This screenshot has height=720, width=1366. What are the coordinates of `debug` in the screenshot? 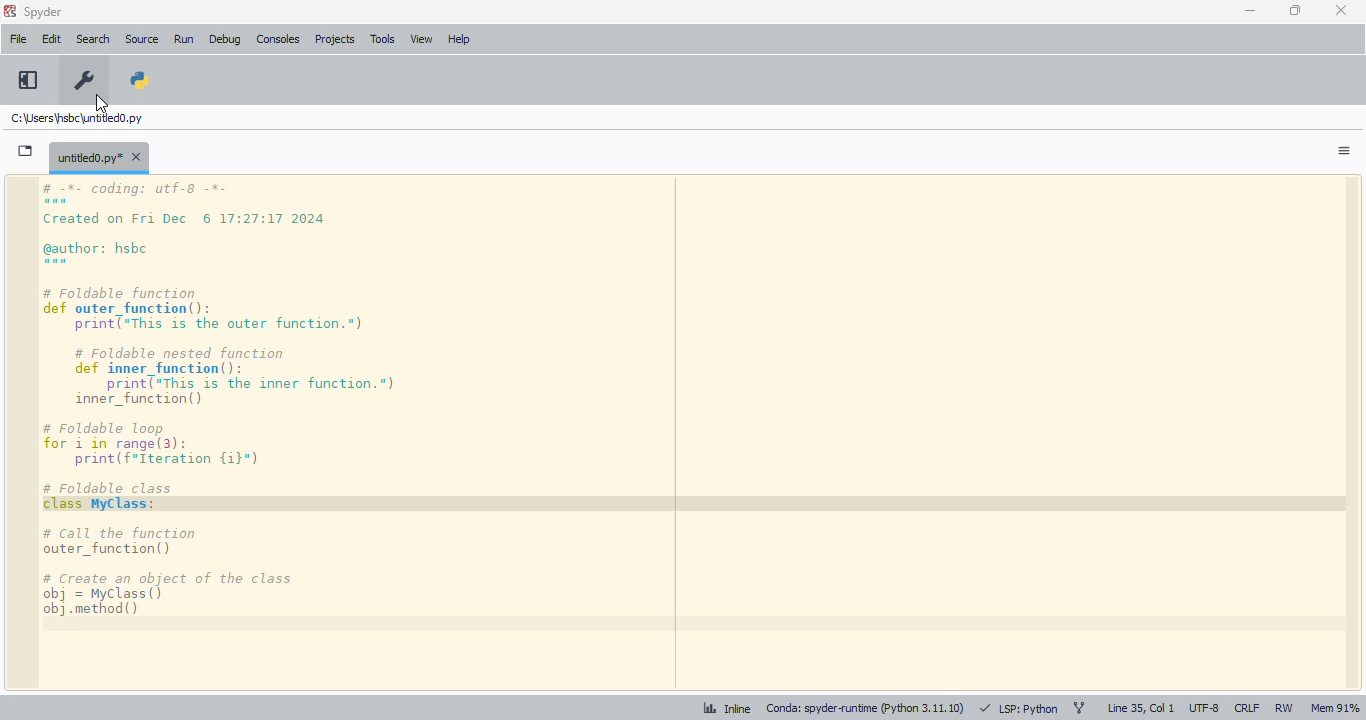 It's located at (225, 39).